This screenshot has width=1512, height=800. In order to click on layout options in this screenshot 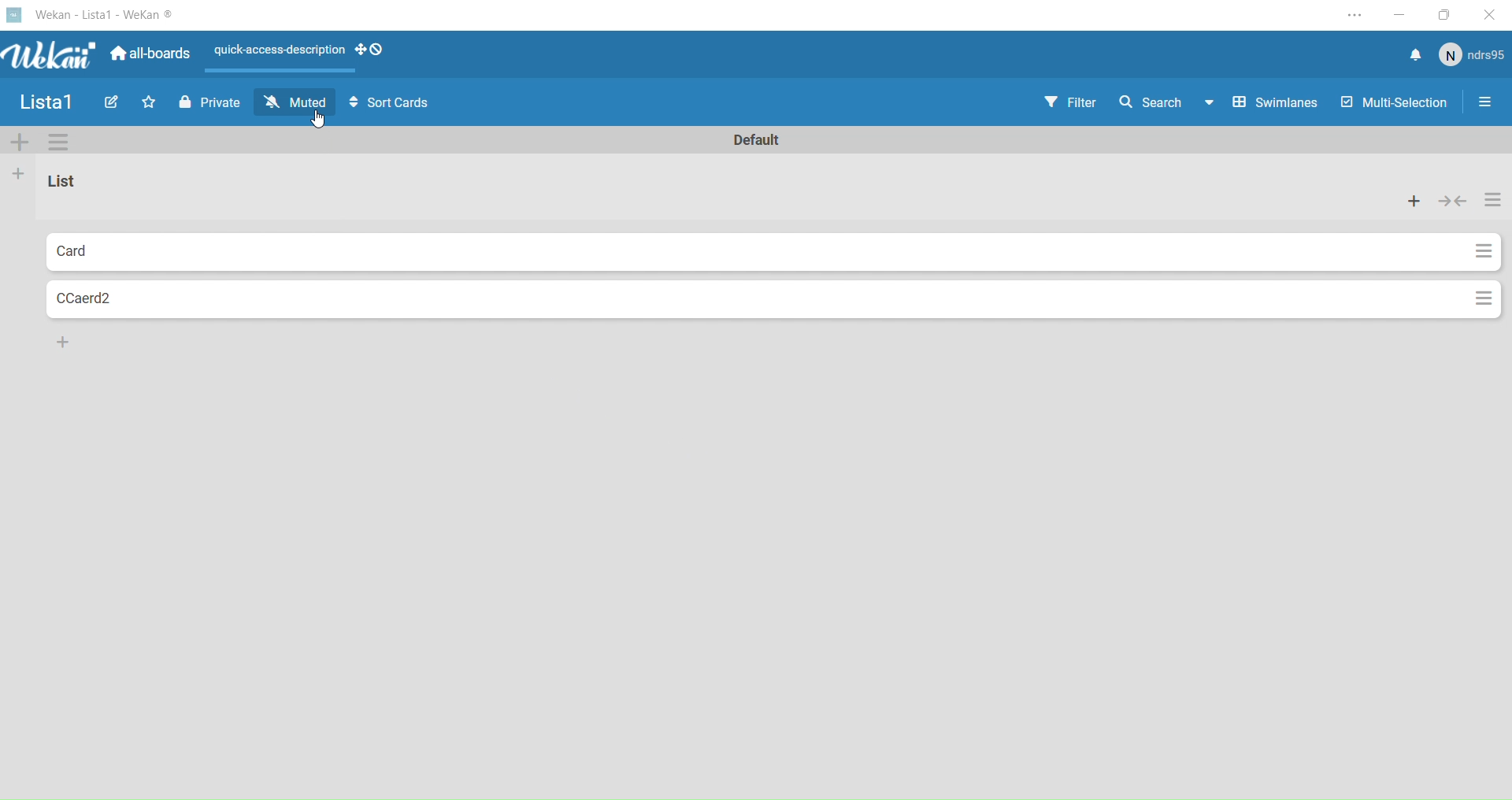, I will do `click(302, 56)`.